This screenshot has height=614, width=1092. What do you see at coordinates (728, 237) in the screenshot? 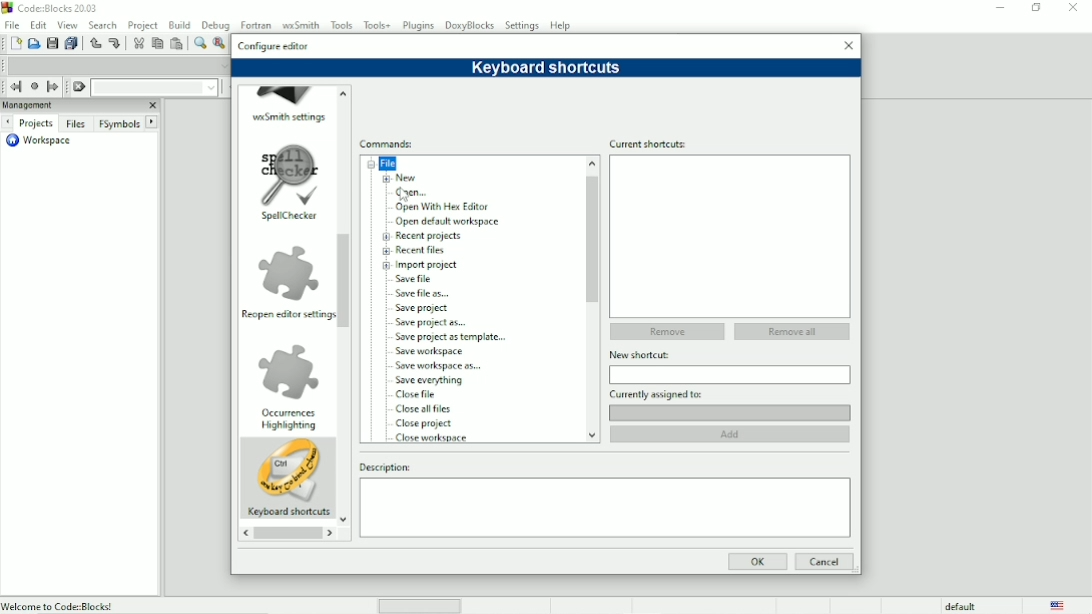
I see `` at bounding box center [728, 237].